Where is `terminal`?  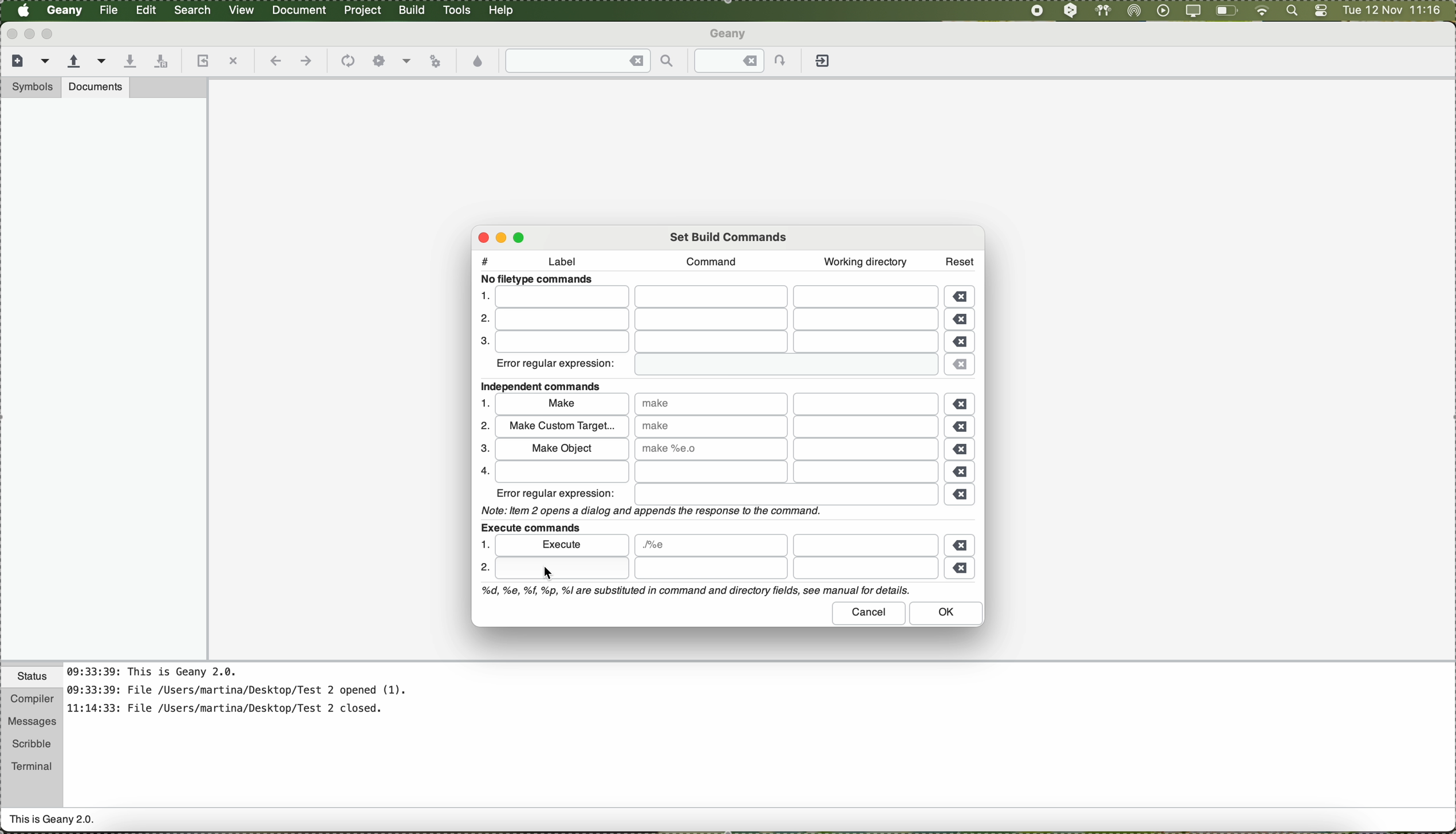 terminal is located at coordinates (32, 764).